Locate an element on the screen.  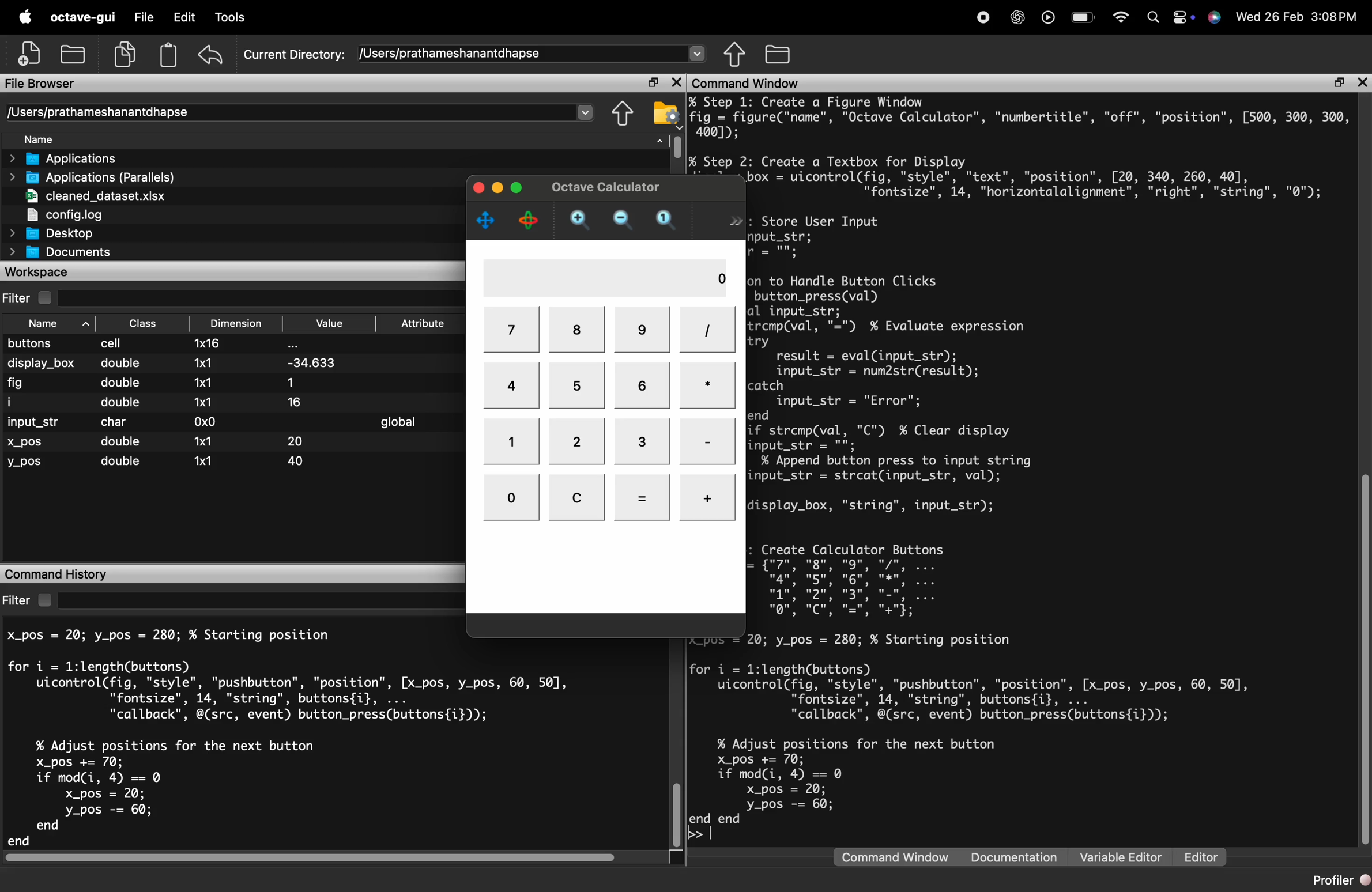
input_str is located at coordinates (33, 421).